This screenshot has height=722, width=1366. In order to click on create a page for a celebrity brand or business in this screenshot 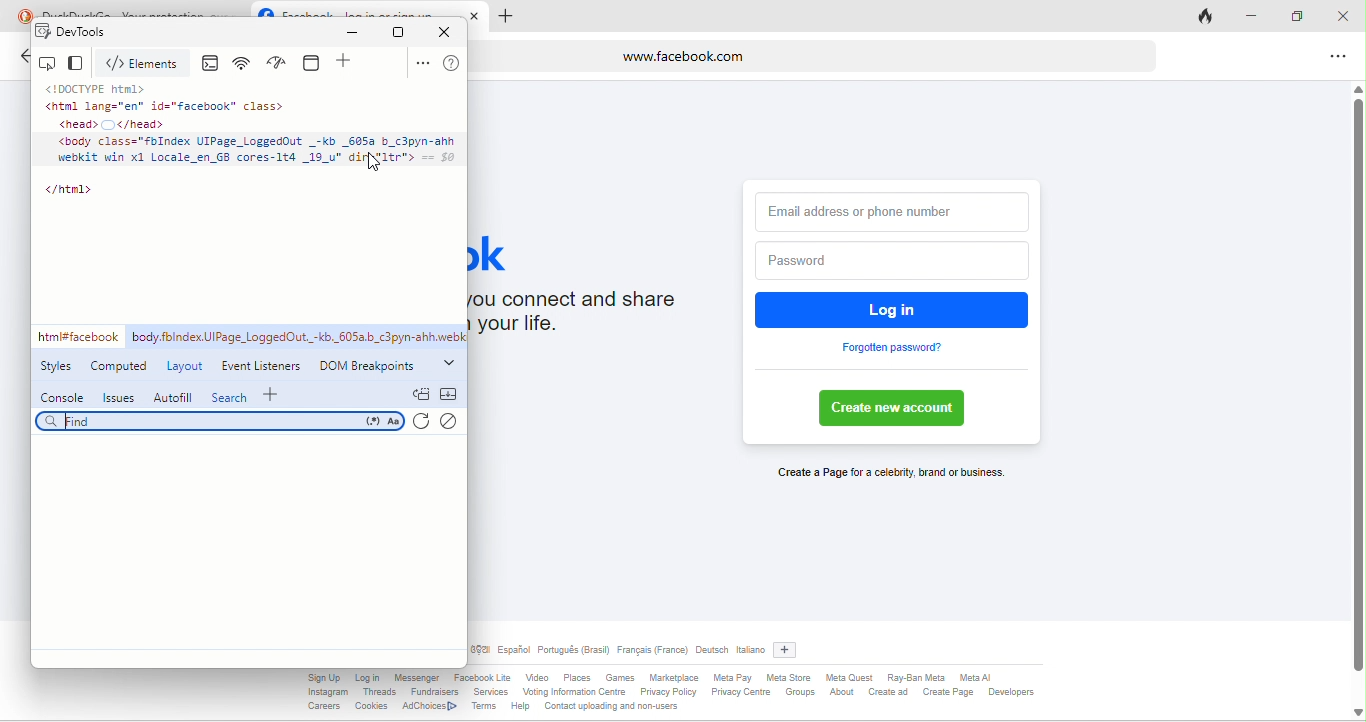, I will do `click(887, 474)`.